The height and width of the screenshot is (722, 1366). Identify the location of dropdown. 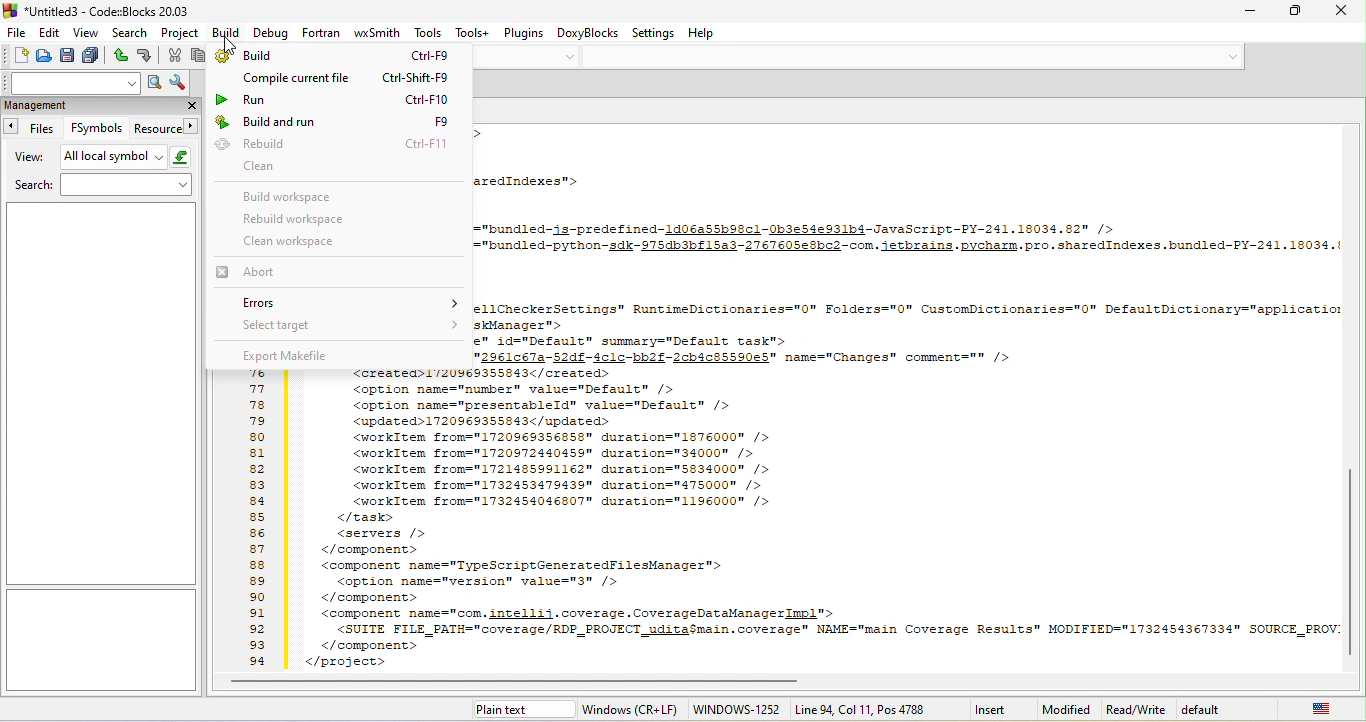
(569, 58).